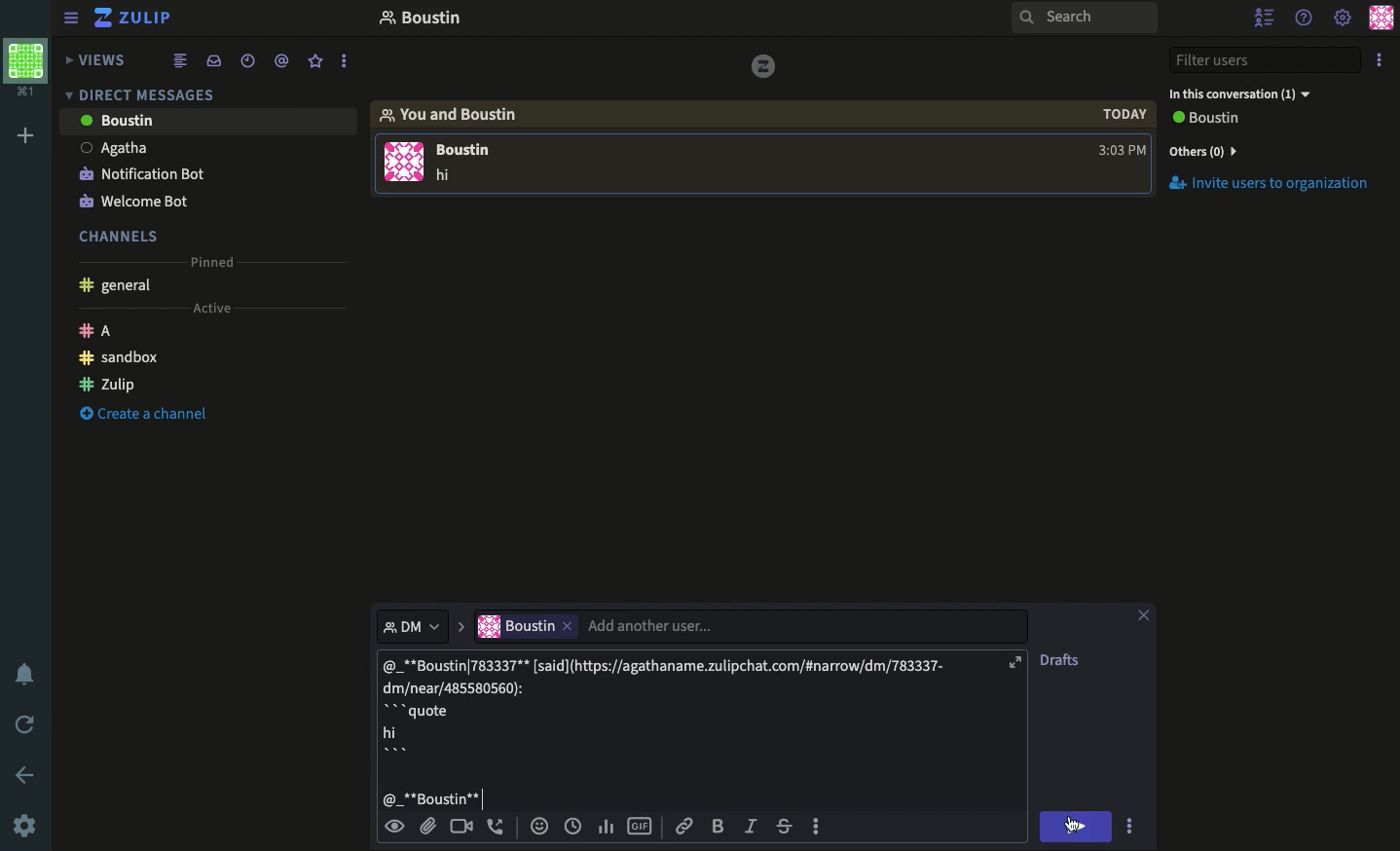 This screenshot has width=1400, height=851. What do you see at coordinates (100, 57) in the screenshot?
I see `Views` at bounding box center [100, 57].